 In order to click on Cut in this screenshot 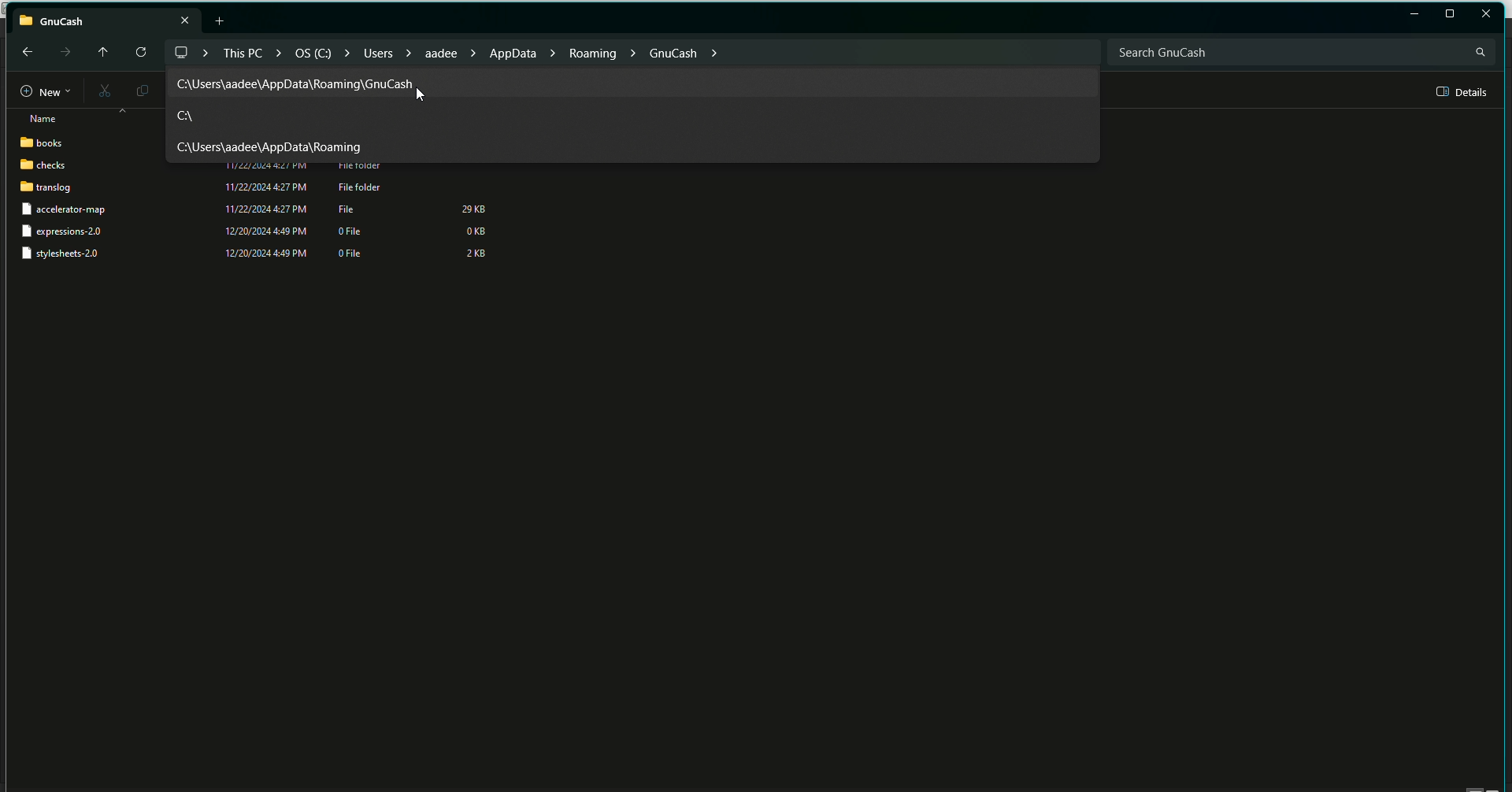, I will do `click(102, 92)`.